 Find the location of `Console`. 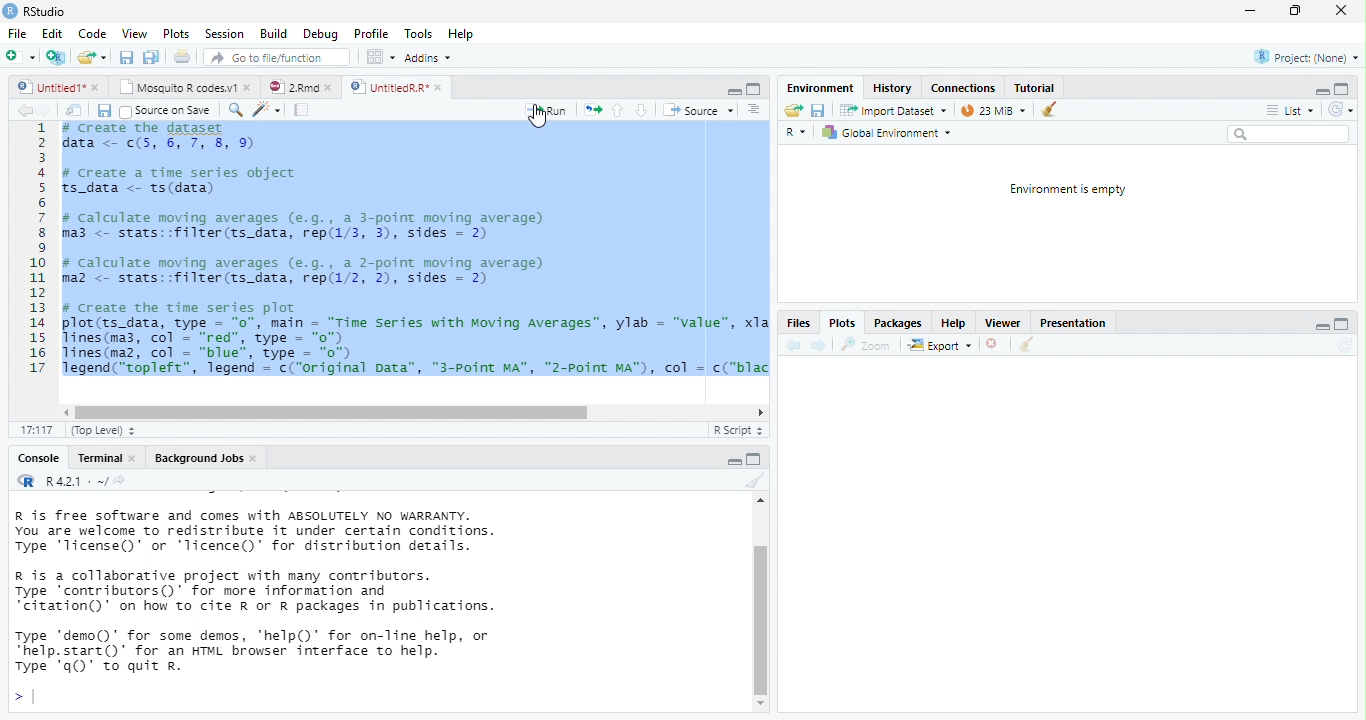

Console is located at coordinates (37, 459).